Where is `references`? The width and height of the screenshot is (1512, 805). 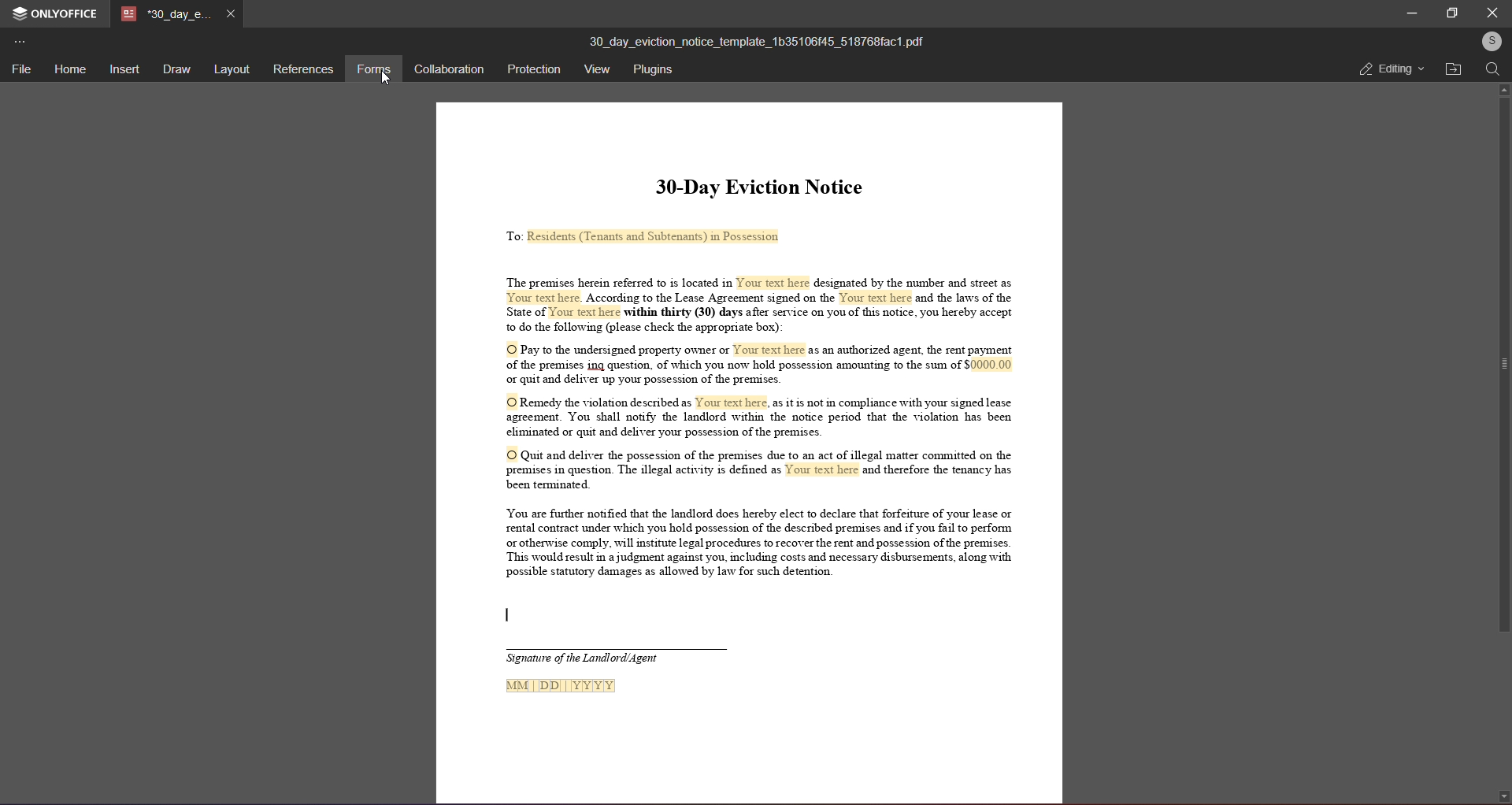 references is located at coordinates (304, 68).